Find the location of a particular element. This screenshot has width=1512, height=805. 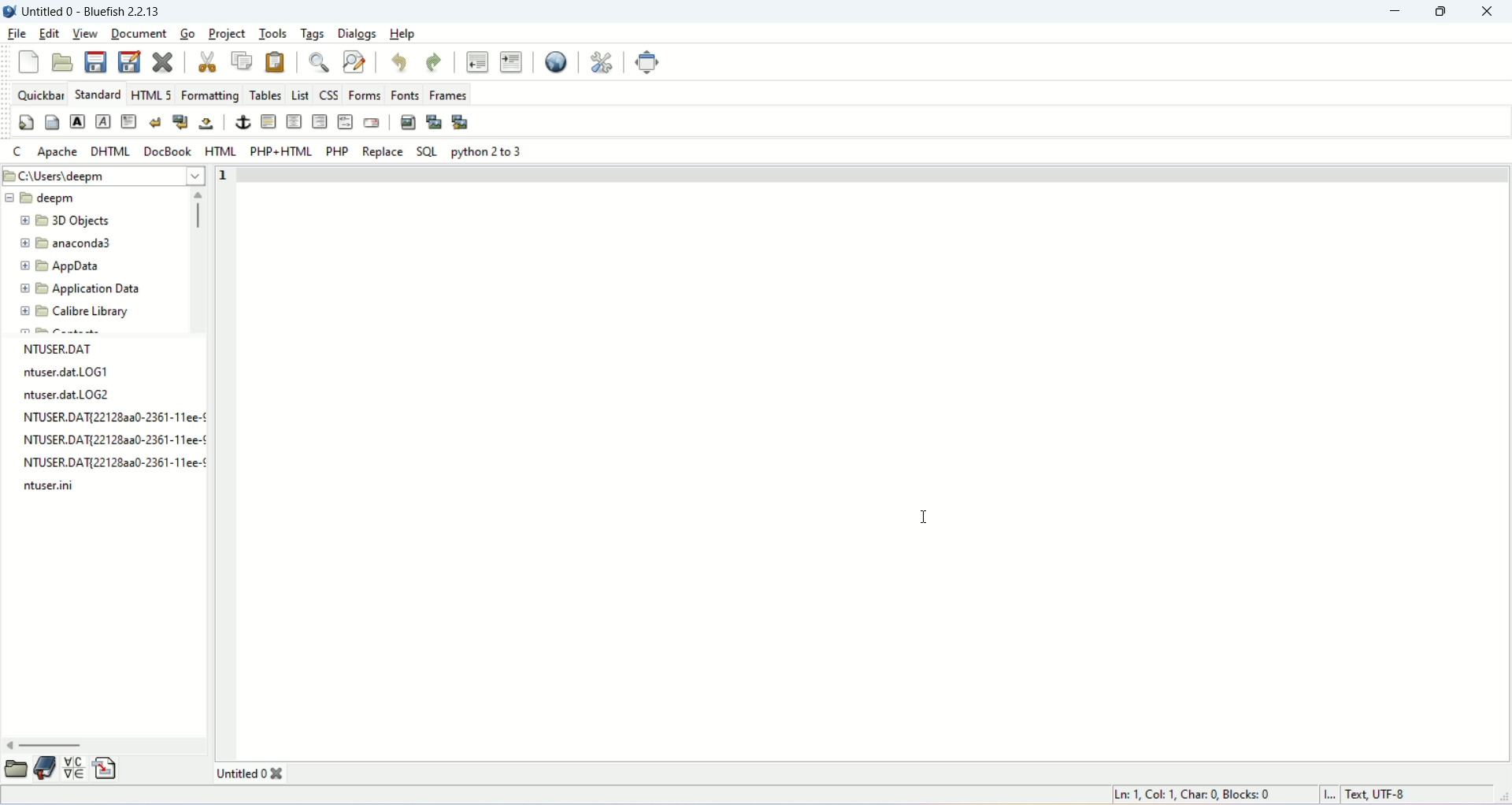

dialogs is located at coordinates (358, 33).